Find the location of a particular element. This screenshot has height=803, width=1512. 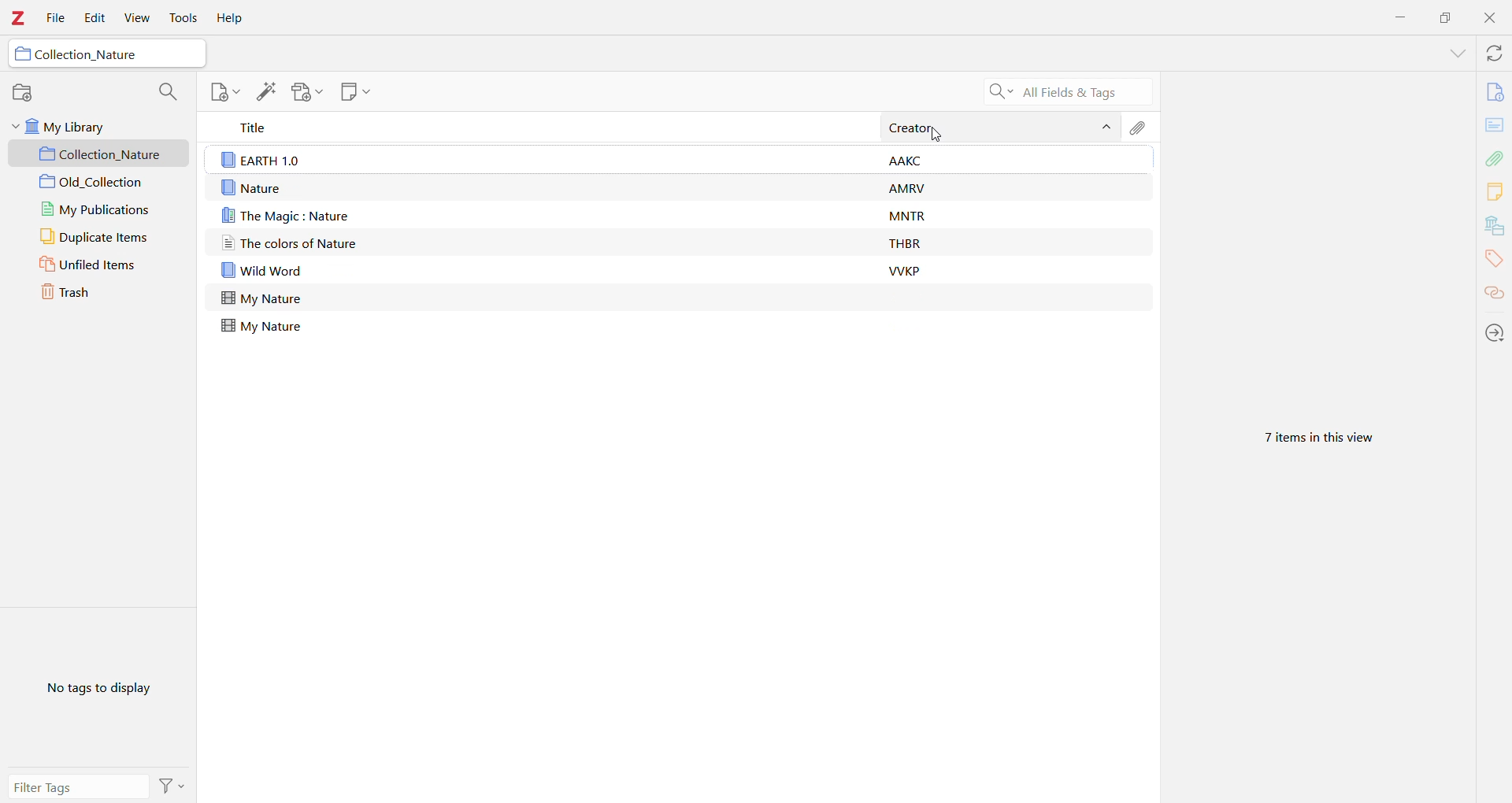

Earth 1.0 is located at coordinates (261, 159).